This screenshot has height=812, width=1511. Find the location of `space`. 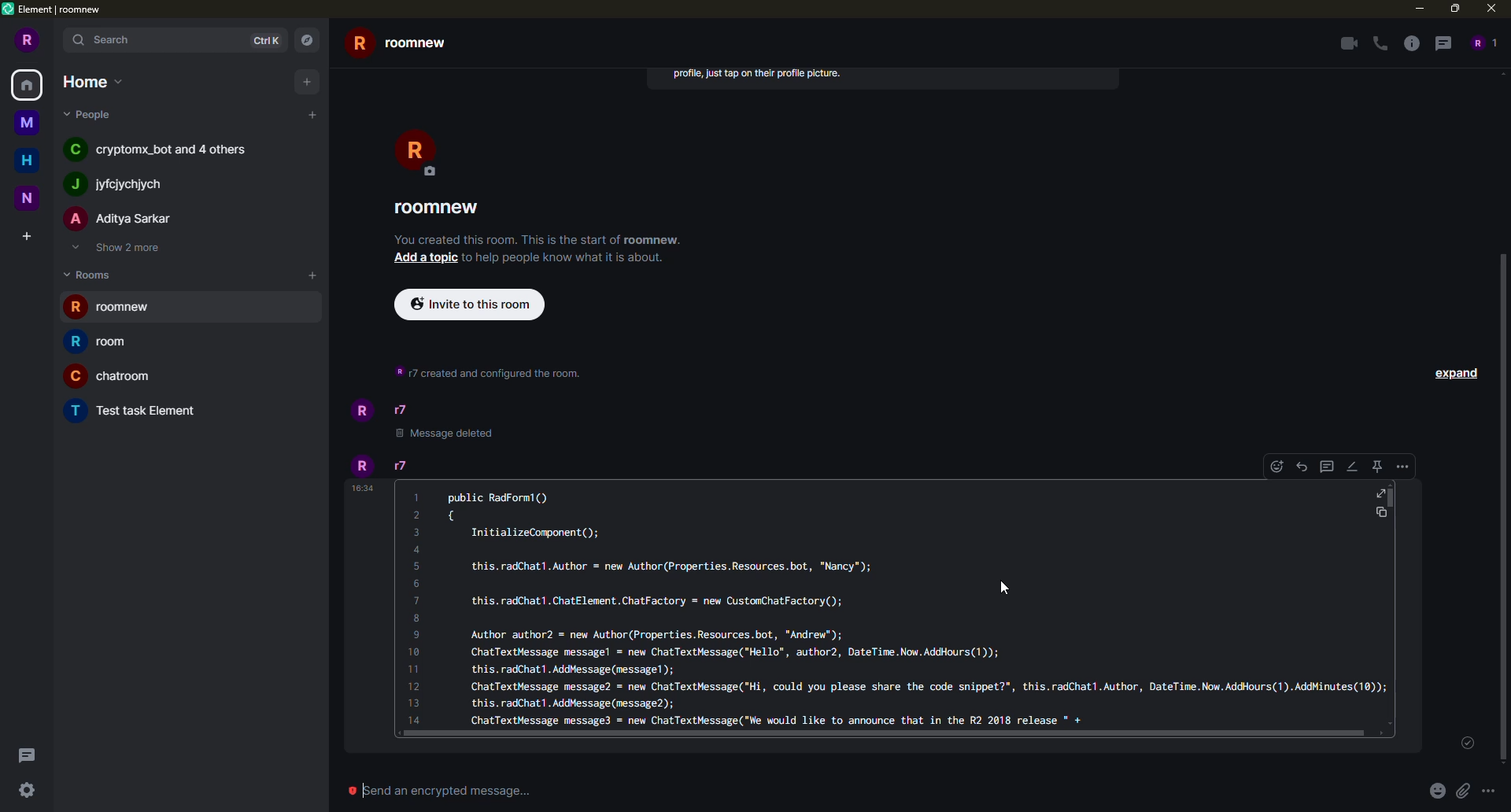

space is located at coordinates (27, 197).